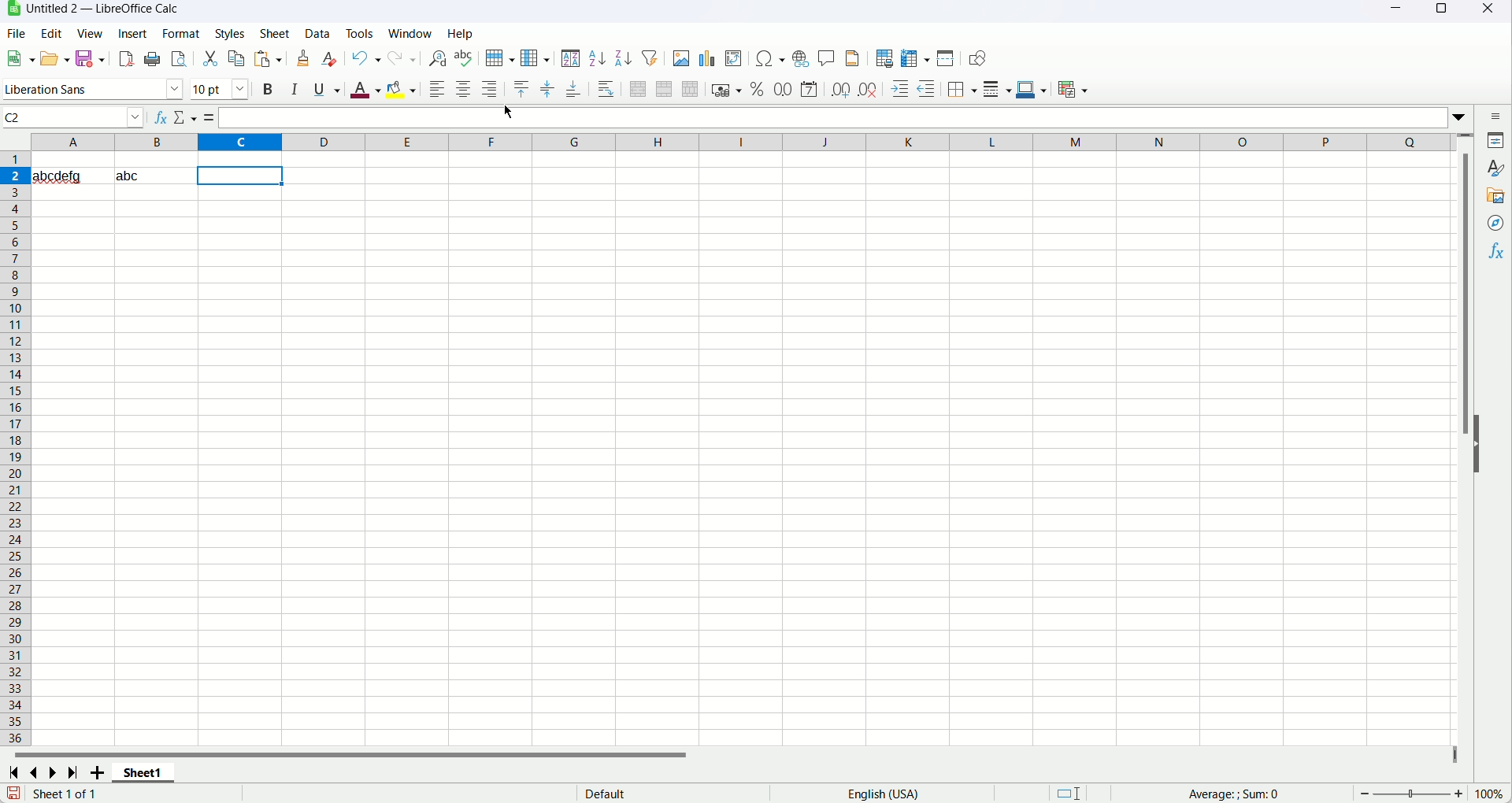 This screenshot has height=803, width=1512. What do you see at coordinates (54, 57) in the screenshot?
I see `open` at bounding box center [54, 57].